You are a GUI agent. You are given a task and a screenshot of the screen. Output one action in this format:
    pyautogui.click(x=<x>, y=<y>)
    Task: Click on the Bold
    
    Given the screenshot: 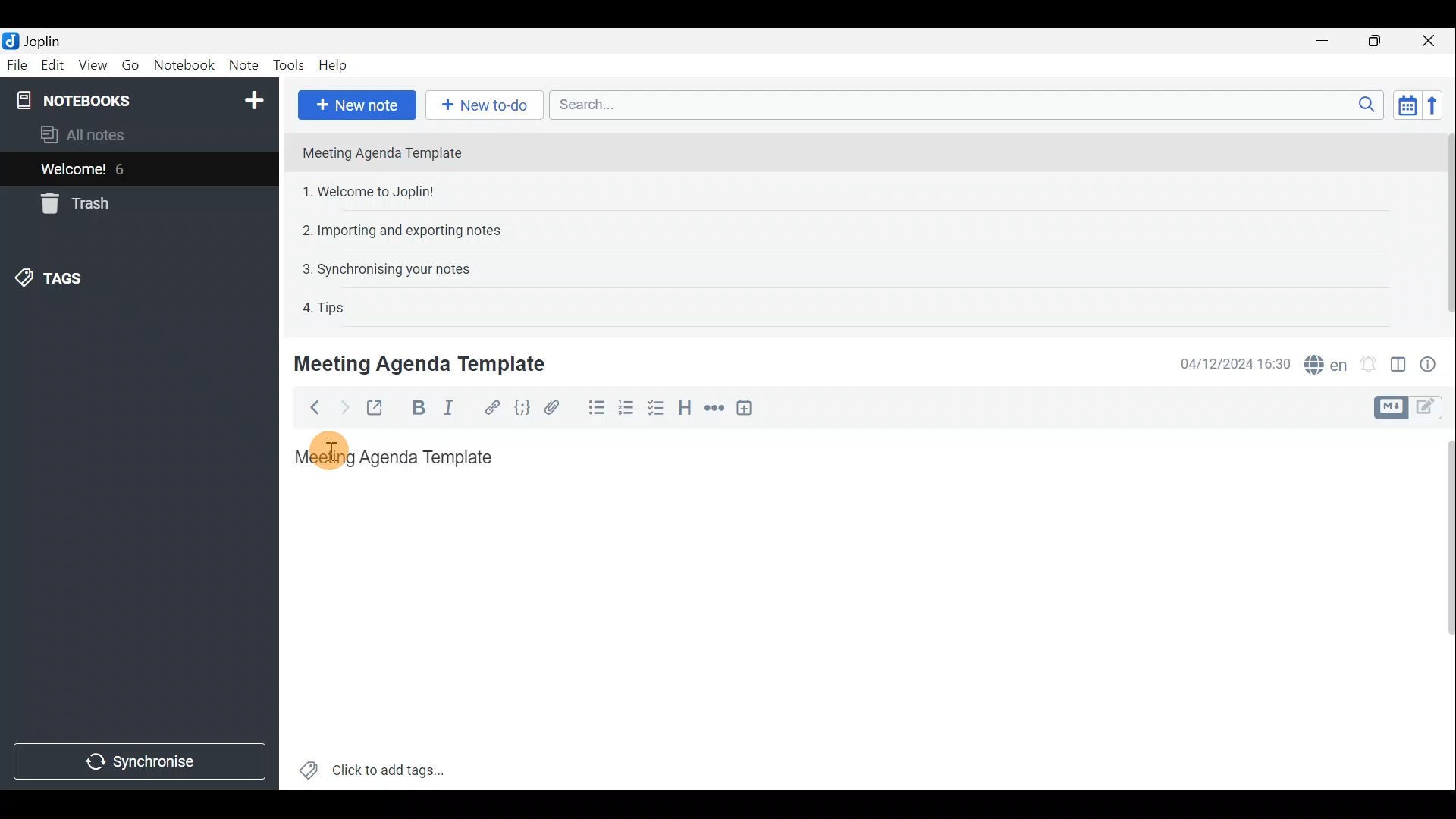 What is the action you would take?
    pyautogui.click(x=417, y=408)
    